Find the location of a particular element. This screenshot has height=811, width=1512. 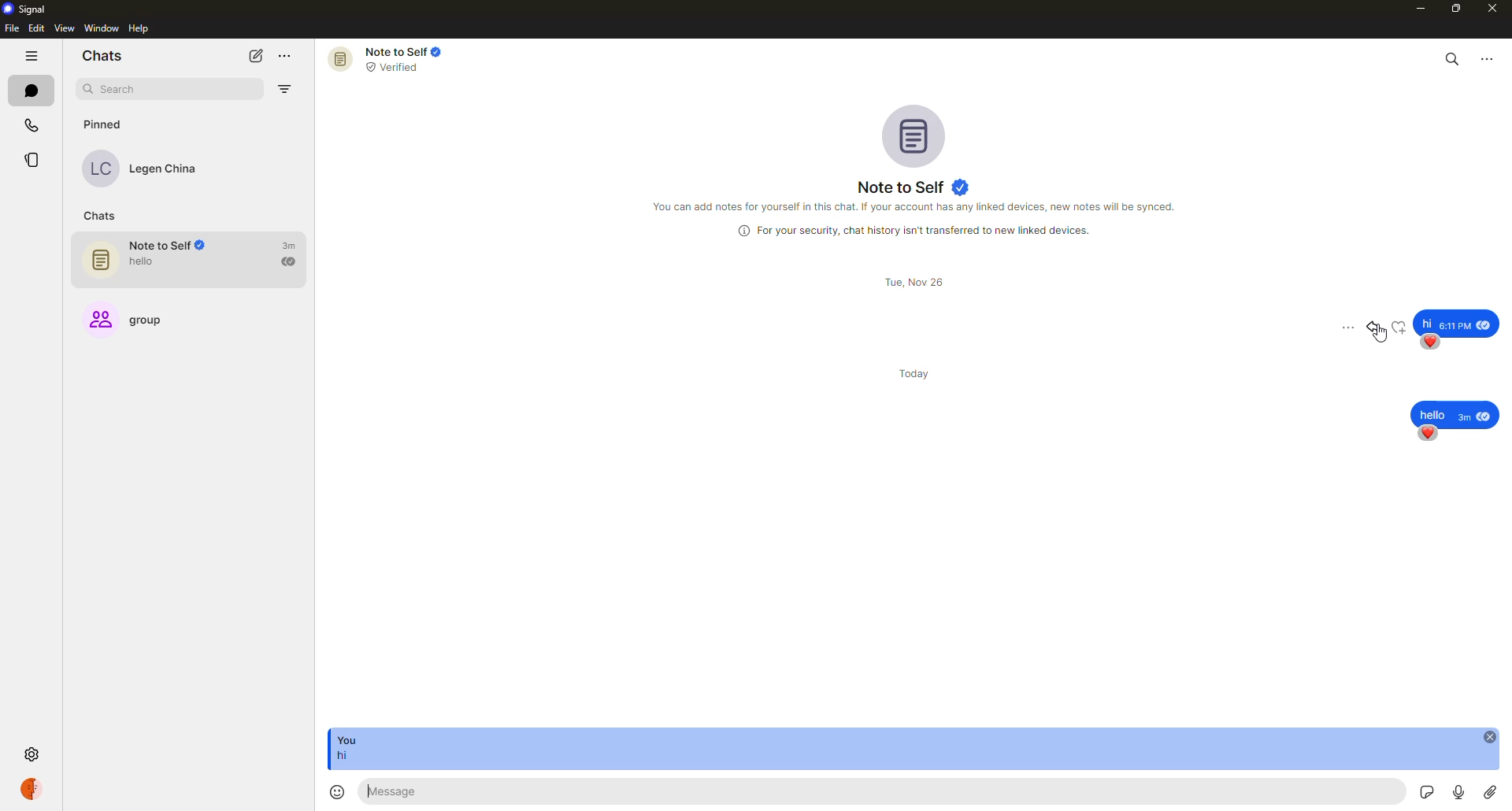

attach is located at coordinates (1492, 791).